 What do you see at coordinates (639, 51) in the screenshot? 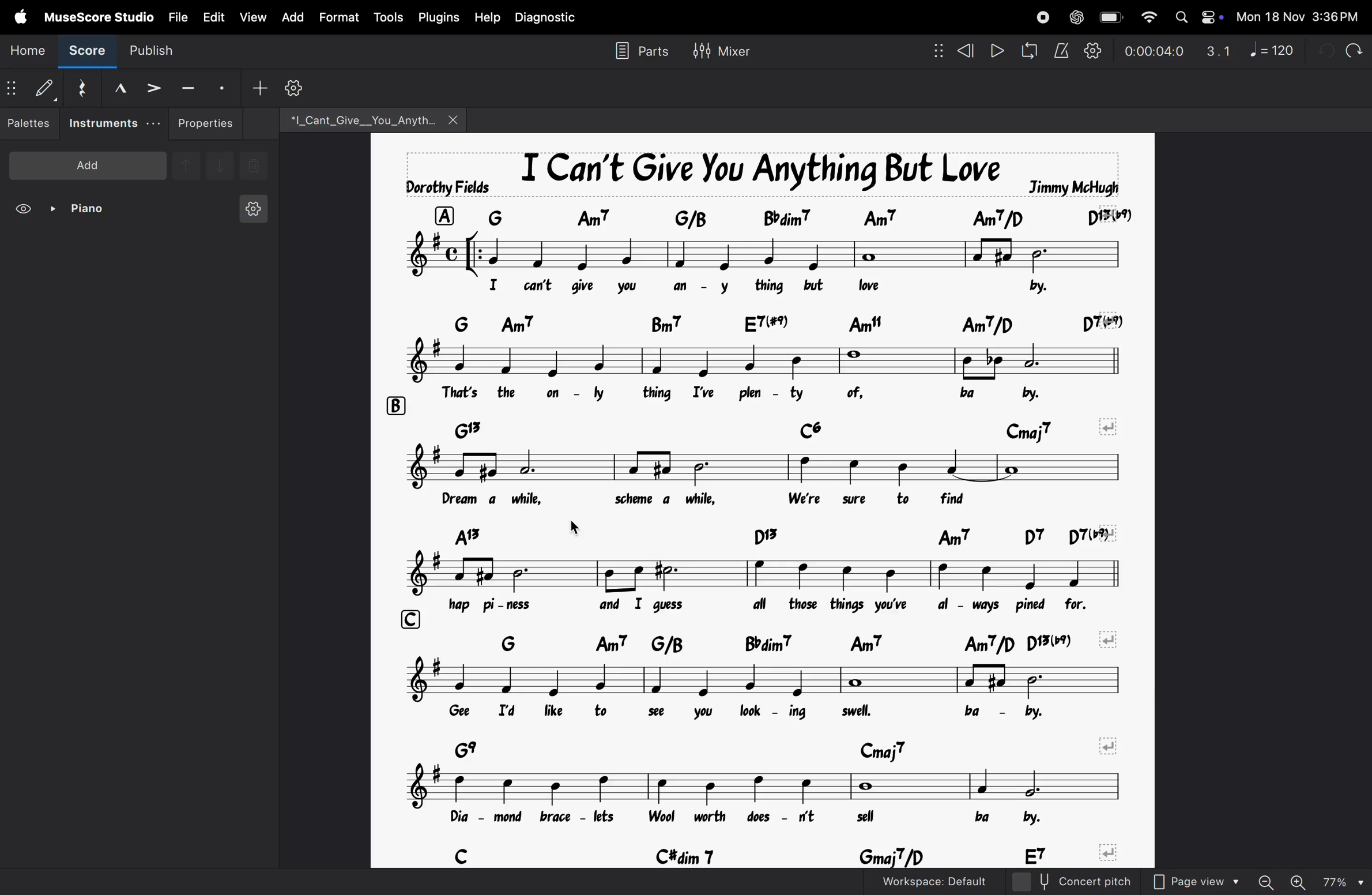
I see `parts` at bounding box center [639, 51].